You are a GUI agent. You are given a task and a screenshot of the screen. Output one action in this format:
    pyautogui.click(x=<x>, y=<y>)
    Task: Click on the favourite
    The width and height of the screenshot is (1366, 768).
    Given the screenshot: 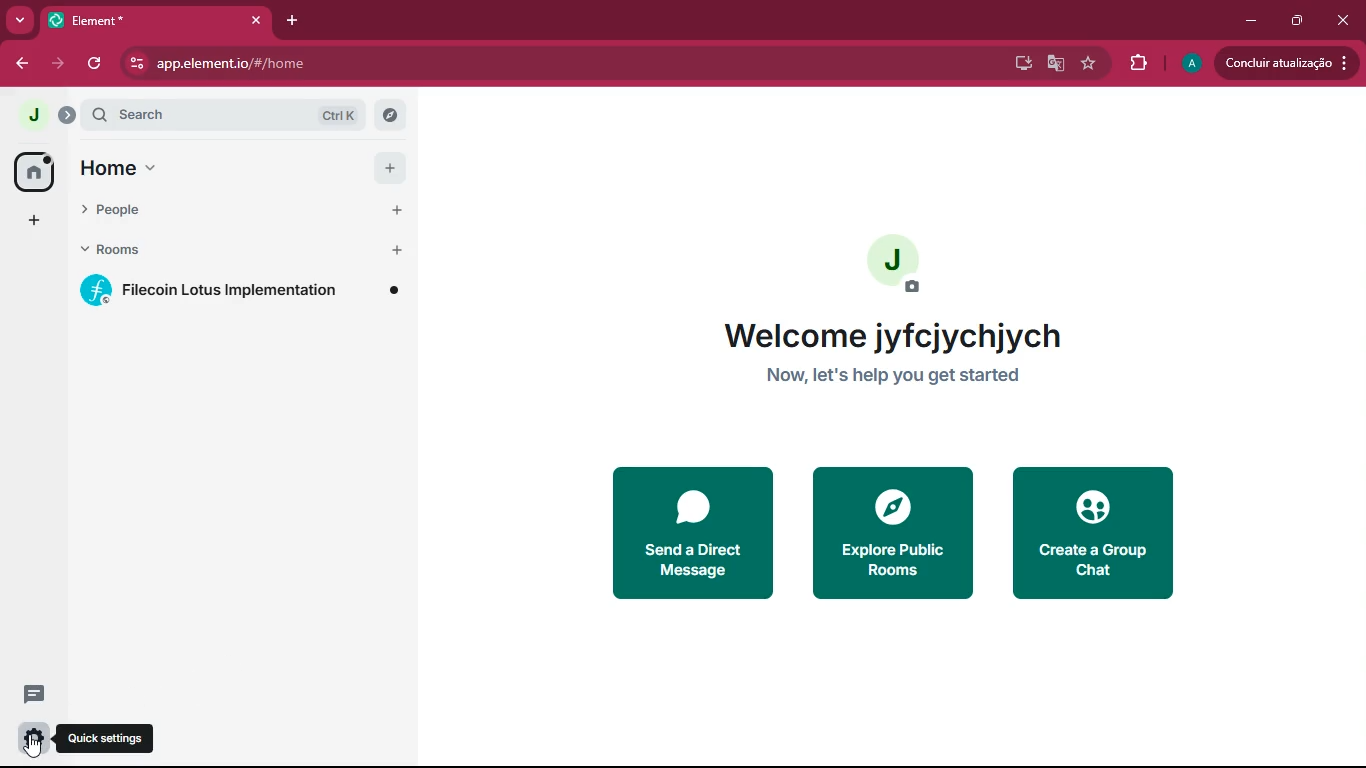 What is the action you would take?
    pyautogui.click(x=1091, y=67)
    